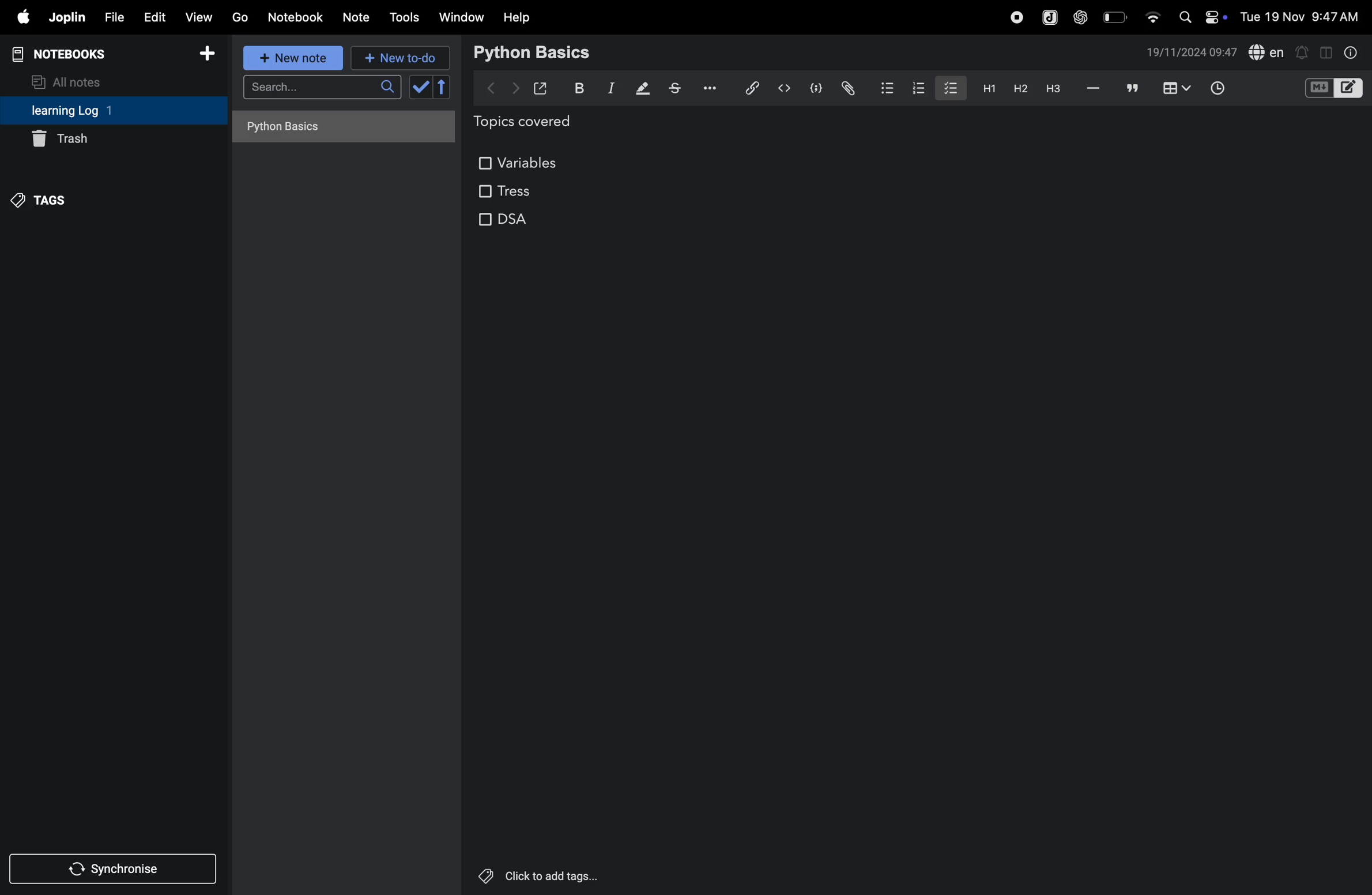  Describe the element at coordinates (322, 91) in the screenshot. I see `search` at that location.